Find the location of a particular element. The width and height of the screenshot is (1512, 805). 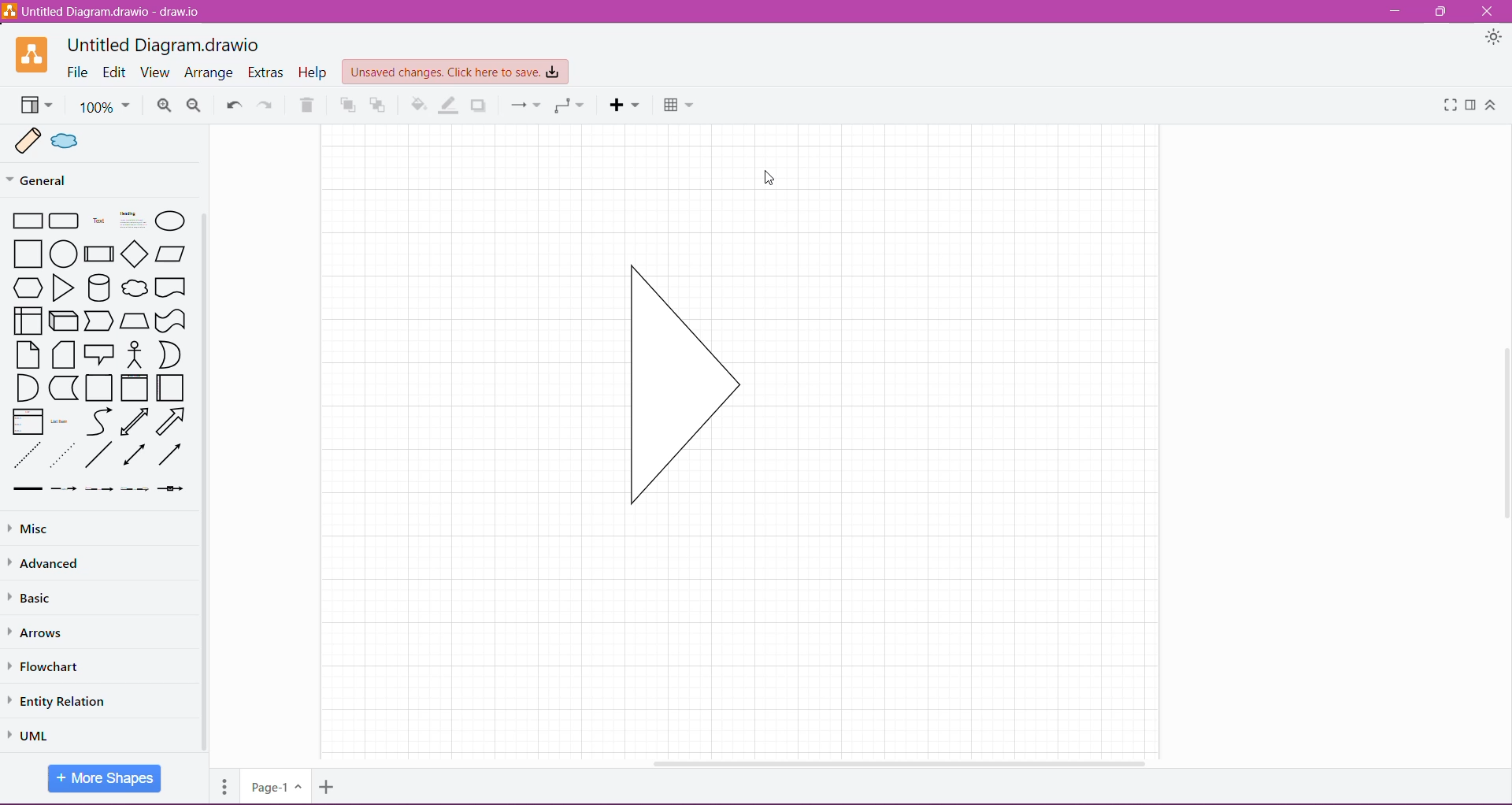

Minimize is located at coordinates (1394, 12).